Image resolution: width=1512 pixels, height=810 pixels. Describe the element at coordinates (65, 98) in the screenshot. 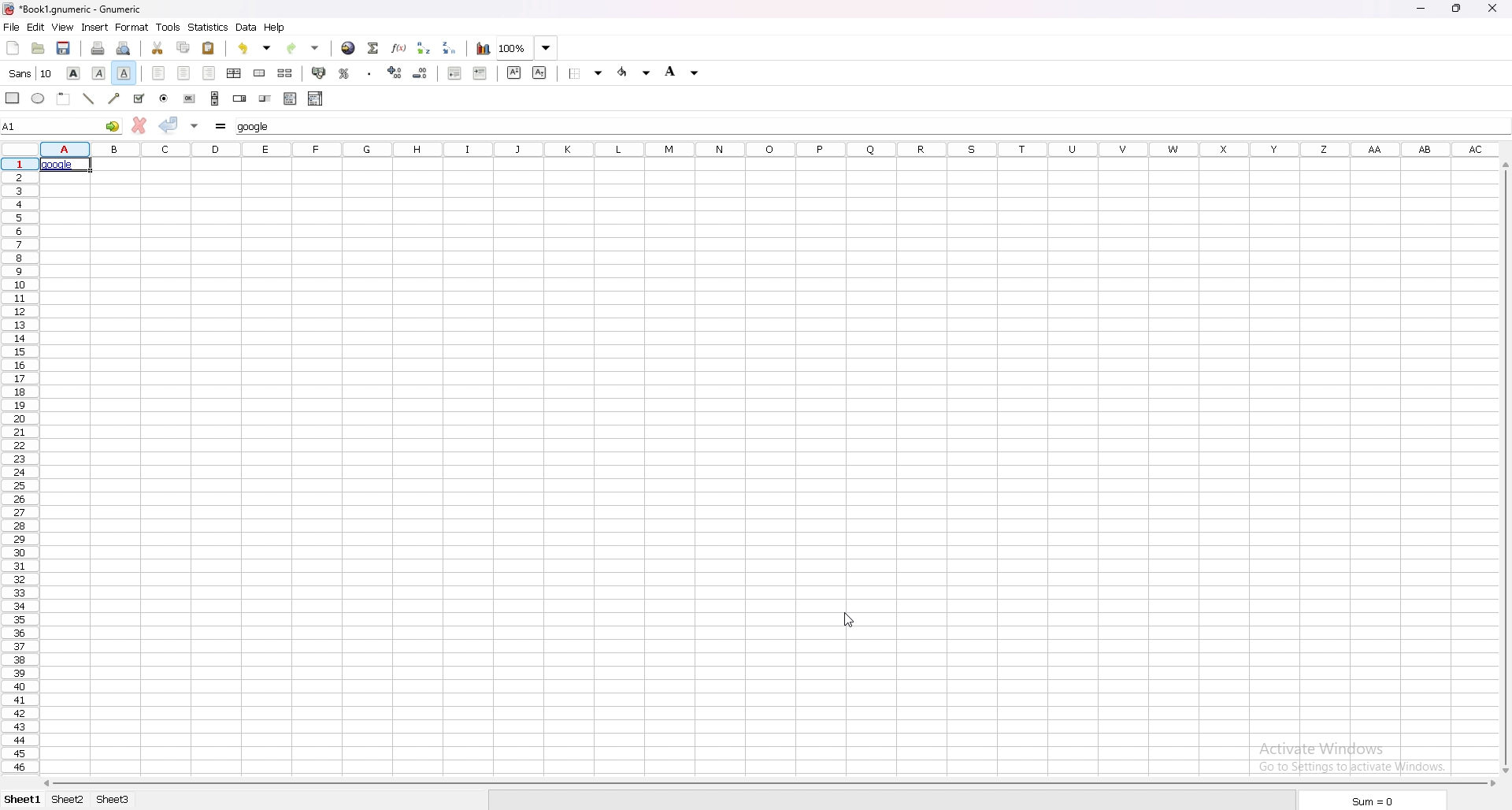

I see `frame` at that location.